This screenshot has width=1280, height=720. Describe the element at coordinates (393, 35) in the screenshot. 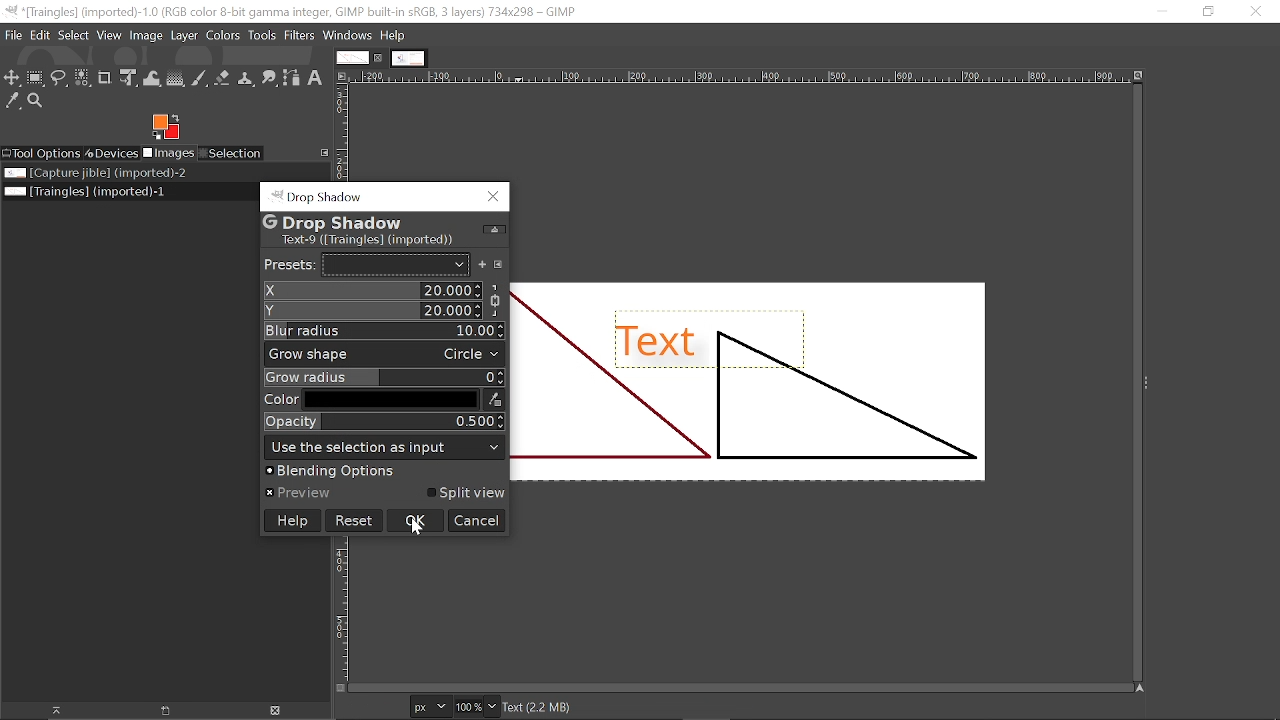

I see `Help` at that location.